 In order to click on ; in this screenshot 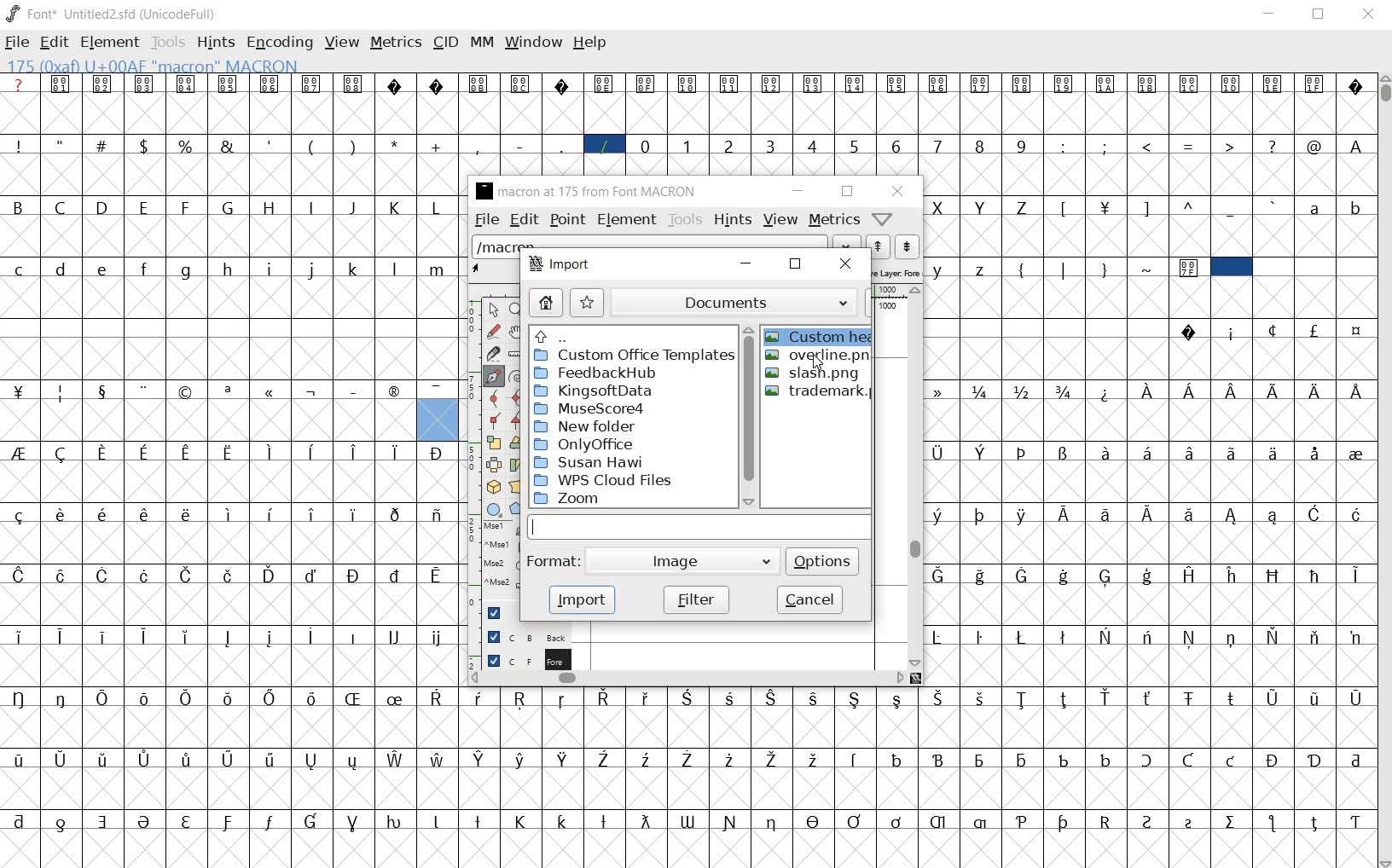, I will do `click(1106, 146)`.